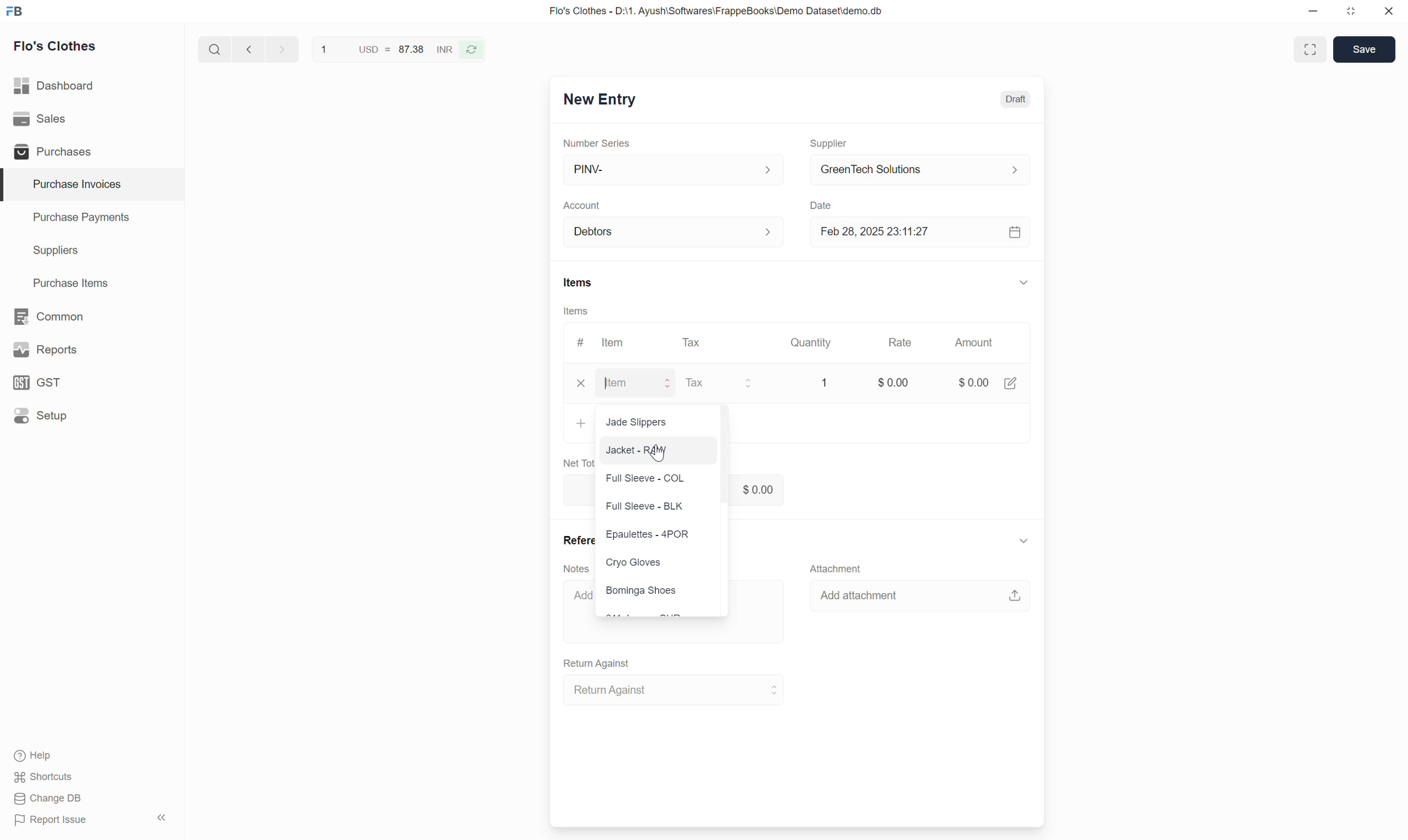  I want to click on Items, so click(579, 282).